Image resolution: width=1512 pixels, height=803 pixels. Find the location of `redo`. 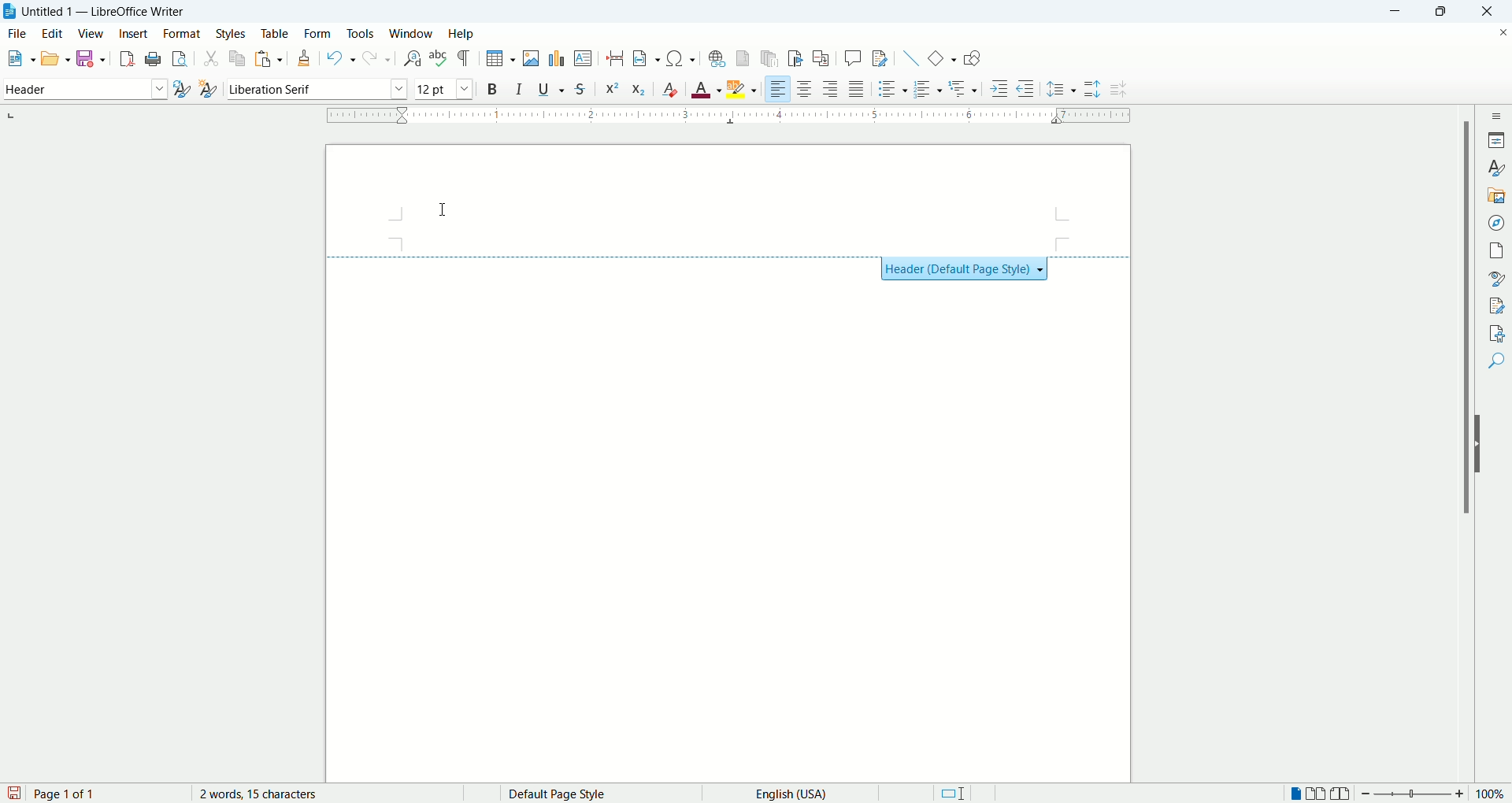

redo is located at coordinates (376, 57).